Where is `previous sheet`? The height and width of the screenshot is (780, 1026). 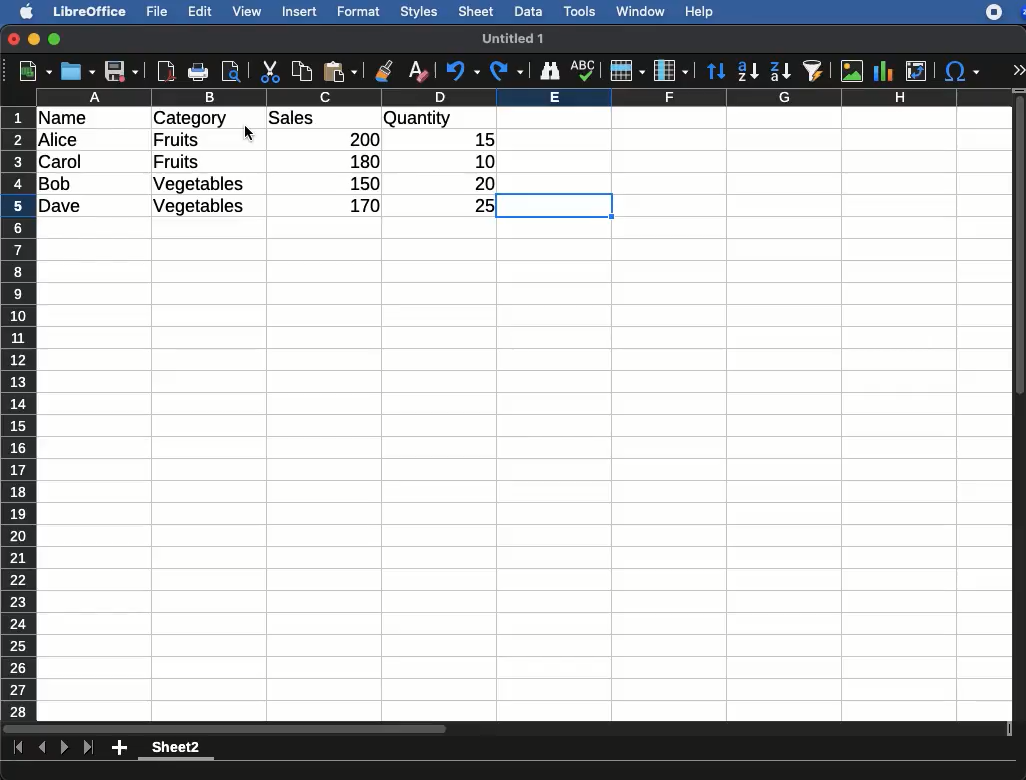 previous sheet is located at coordinates (44, 748).